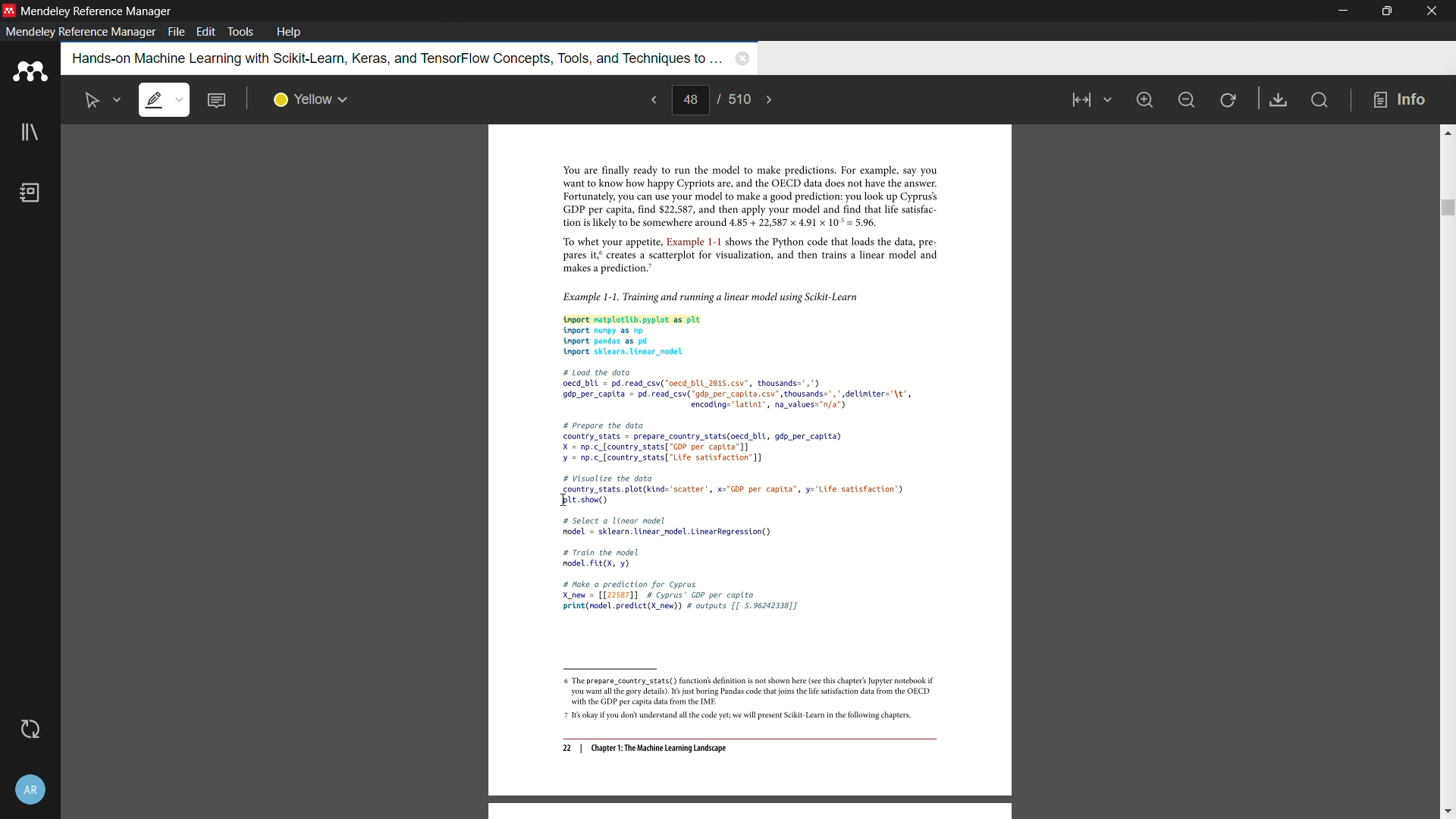 The width and height of the screenshot is (1456, 819). I want to click on # Load the data

oecd_bUL = pd. read_csv("oecd_bLL 2015.csv”, thousands=",")

9dp_per_captta = pd.read_csv("gdp_per capita. csv’, thousands=",* delintter="\t',
encoding="latini’, na_values="n/a")

# prepare the data

country_stats = prepare_country_stats(aecd bli, gdp_per capita)

X = np.c_[country_stats[ "GOP per captta’]]

¥ = np.c_(country_stats[ "Life satisfaction]

# Visualize the dota

country_stats. plot(kind="scatter, x="G0P per capita”, y='Life satisfaction’)

pt. show()

# select a linear nodel

nodel = sklearn. linear_nodel. LinearRegression()

# Train the model

nodelFLL(X, ¥)

# Nake a prediction for Cyprus

X_new = [[22567]] # Cyprus’ GOP per capita

print(nodel.predict(X new) # outputs [[ 5.96242338]], so click(739, 493).